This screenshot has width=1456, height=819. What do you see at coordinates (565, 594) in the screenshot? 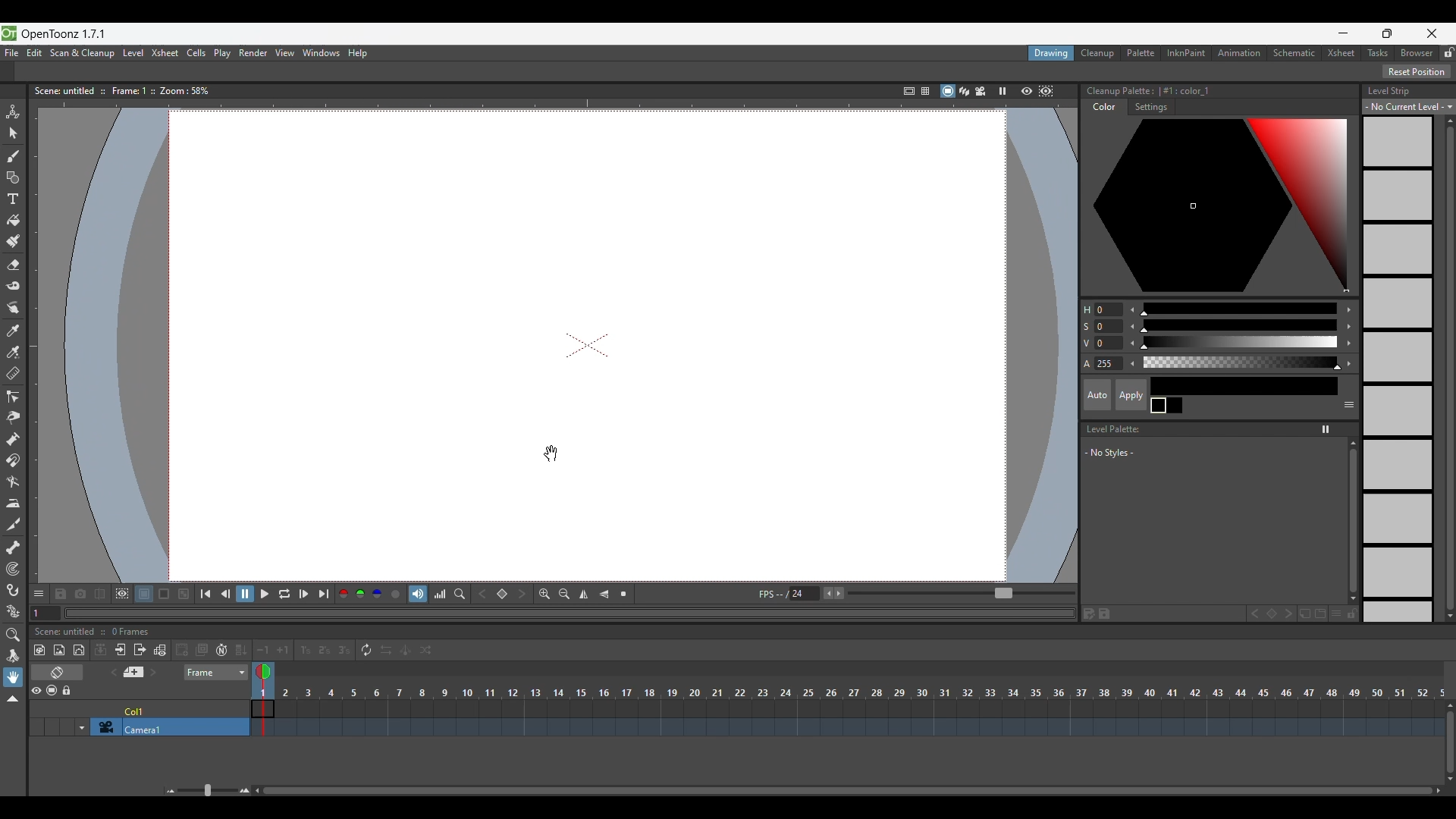
I see `Zoom out` at bounding box center [565, 594].